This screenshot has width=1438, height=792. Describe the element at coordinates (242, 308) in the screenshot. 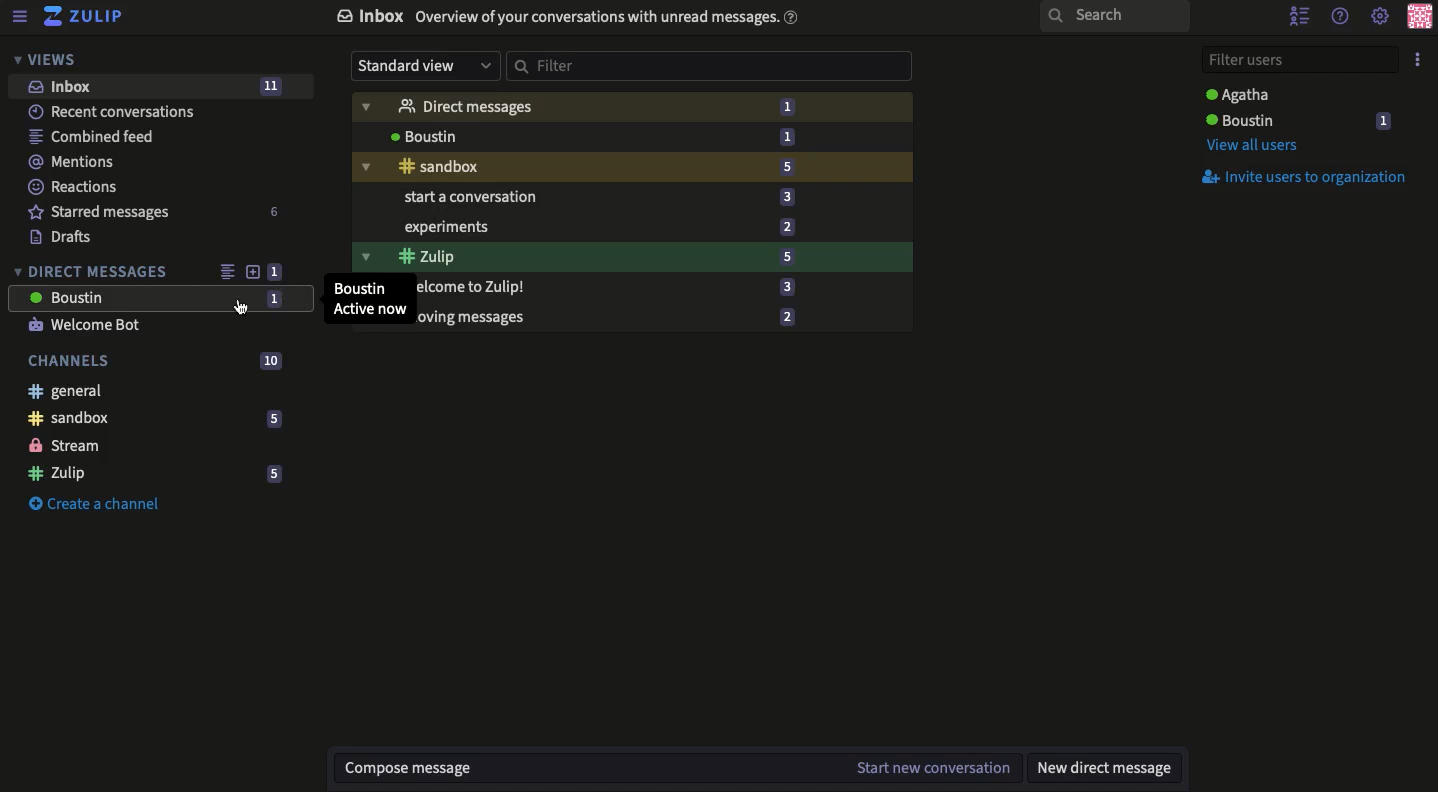

I see `cursor` at that location.